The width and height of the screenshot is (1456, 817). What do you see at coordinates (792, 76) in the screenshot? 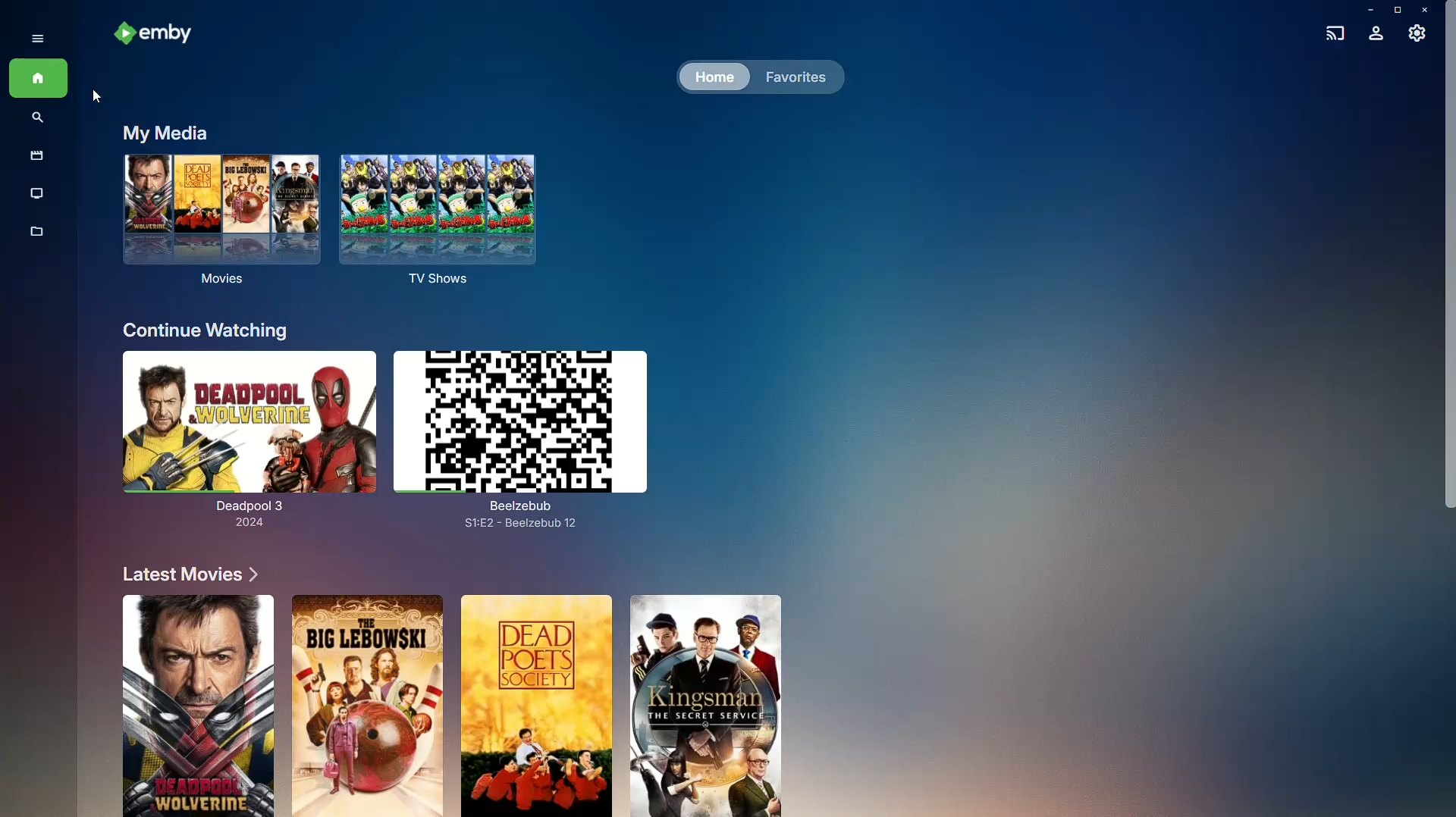
I see `Favorites` at bounding box center [792, 76].